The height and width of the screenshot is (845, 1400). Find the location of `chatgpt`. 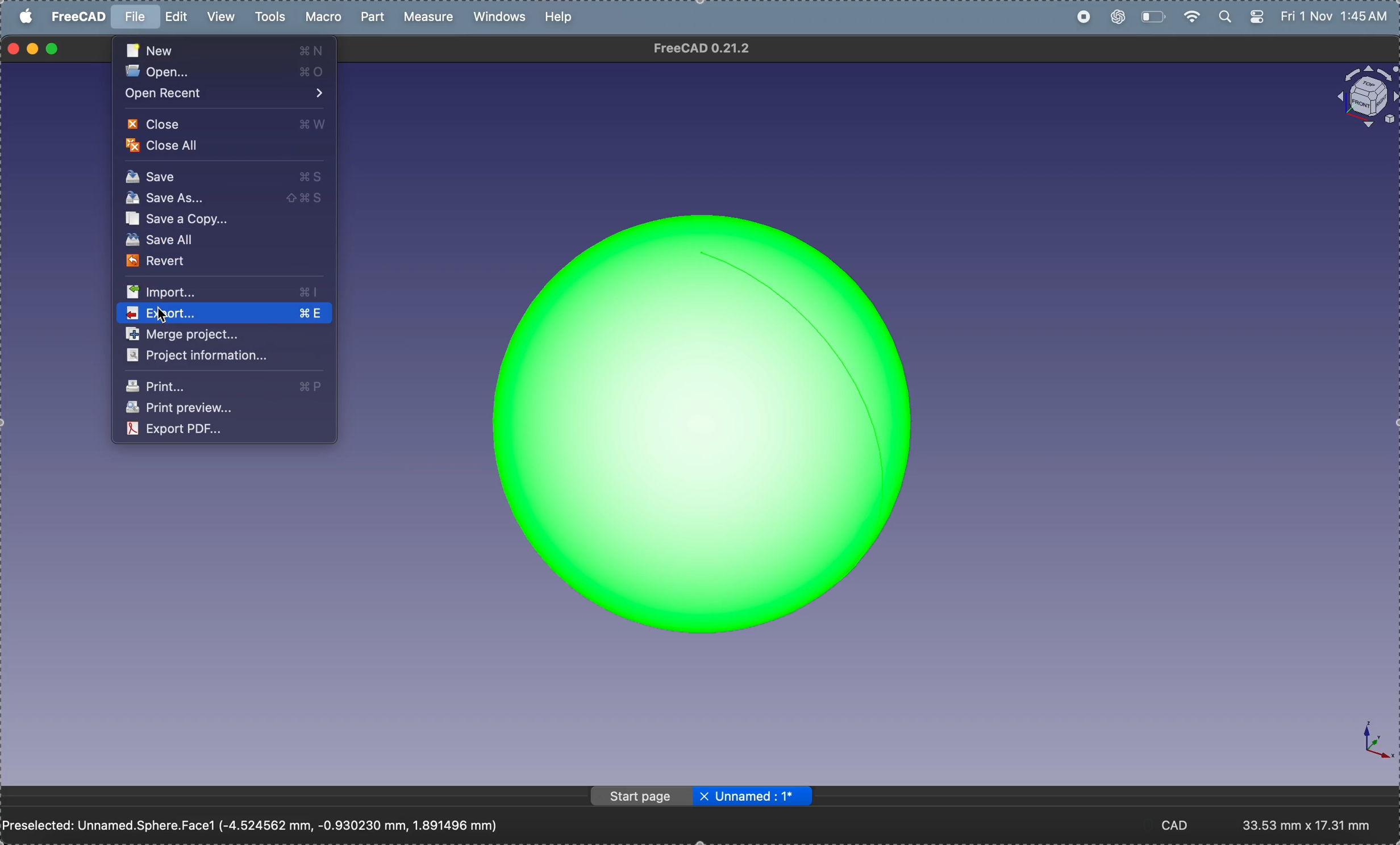

chatgpt is located at coordinates (1116, 18).